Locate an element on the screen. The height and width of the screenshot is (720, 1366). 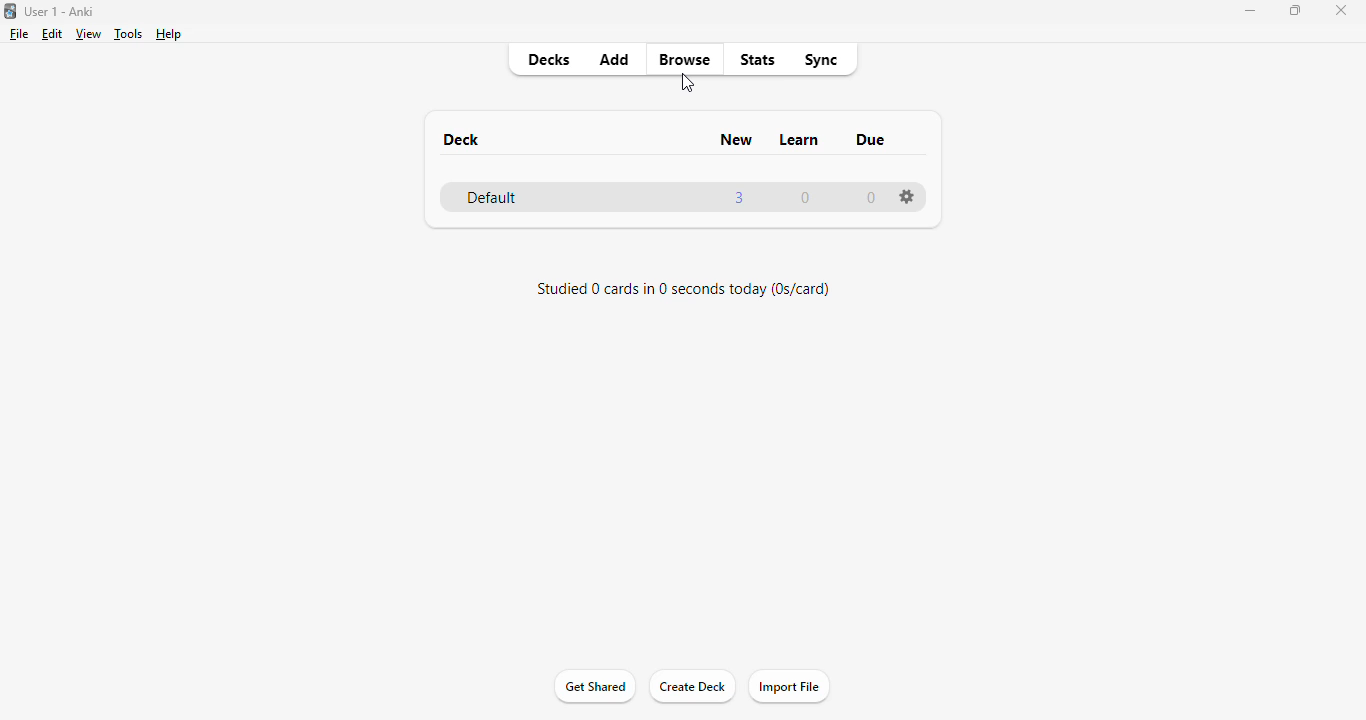
option is located at coordinates (907, 196).